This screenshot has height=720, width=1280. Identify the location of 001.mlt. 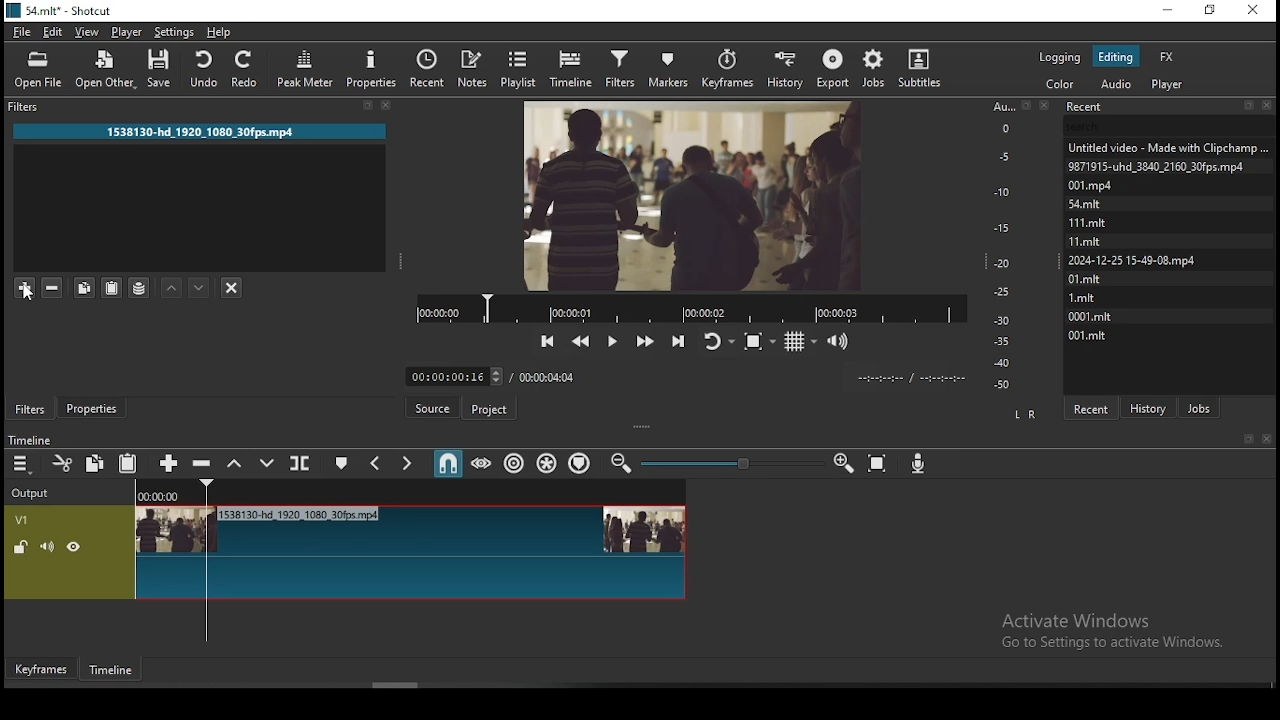
(1087, 335).